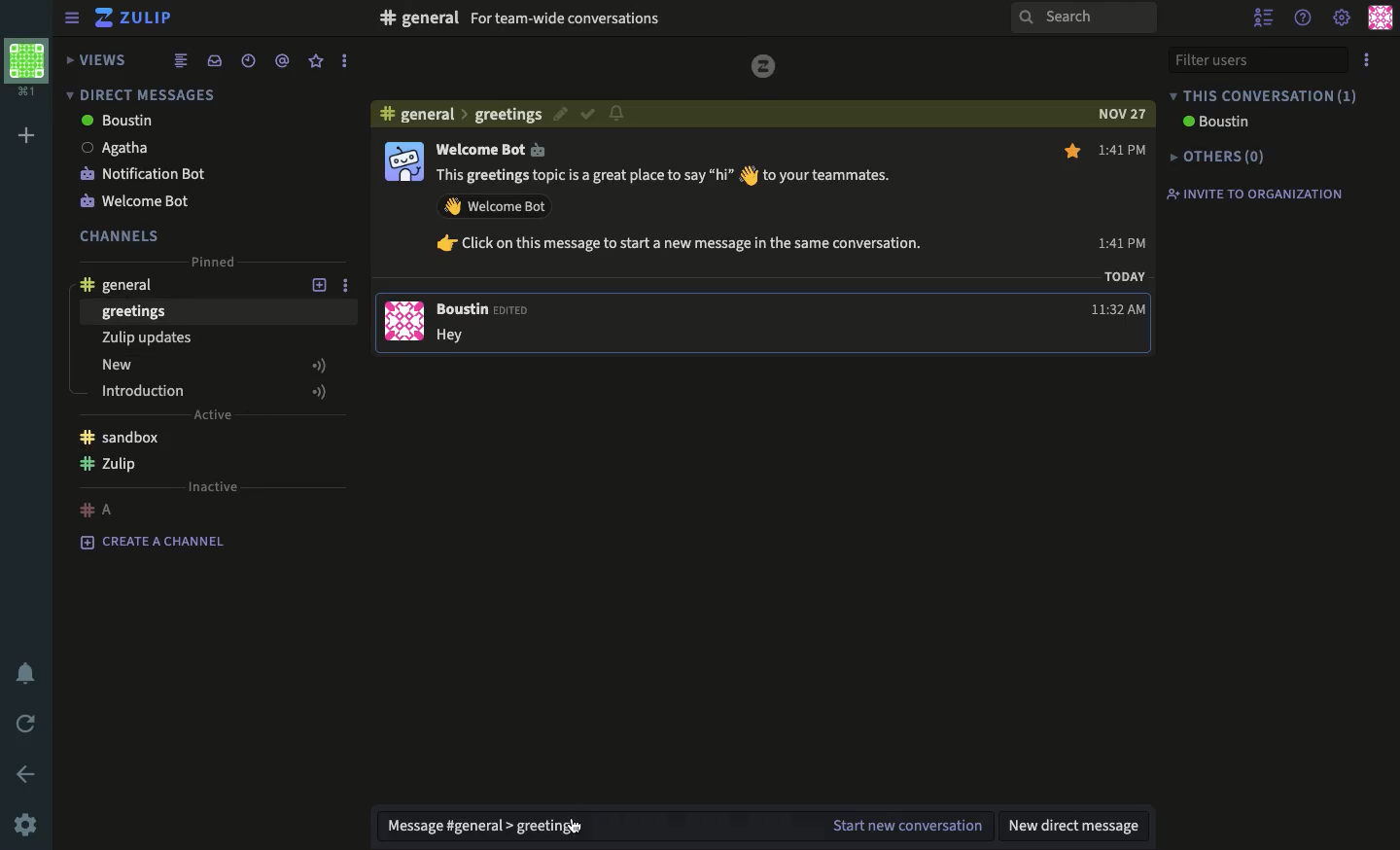  Describe the element at coordinates (134, 18) in the screenshot. I see `Zulip` at that location.